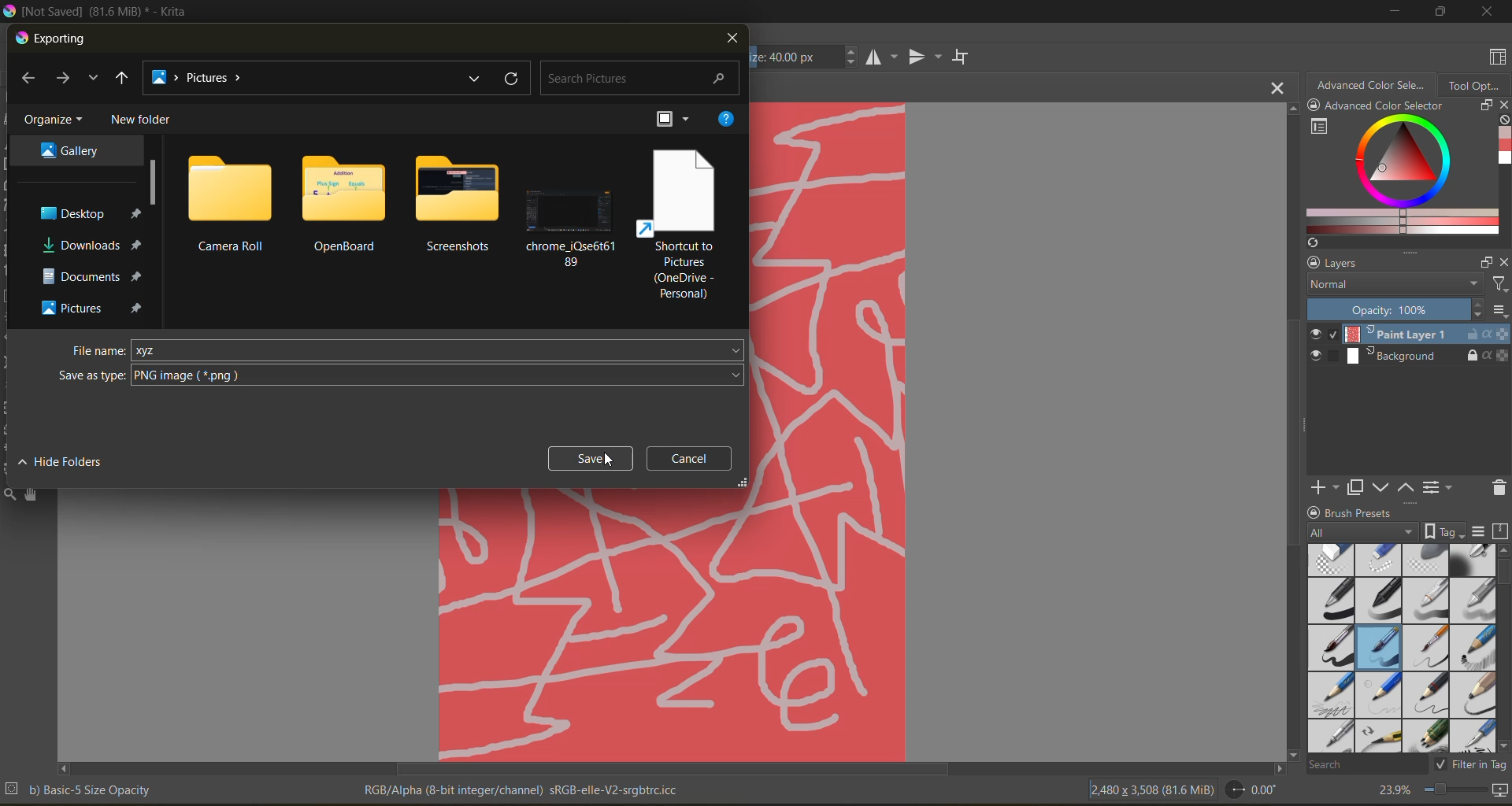 The image size is (1512, 806). Describe the element at coordinates (1488, 11) in the screenshot. I see `close` at that location.